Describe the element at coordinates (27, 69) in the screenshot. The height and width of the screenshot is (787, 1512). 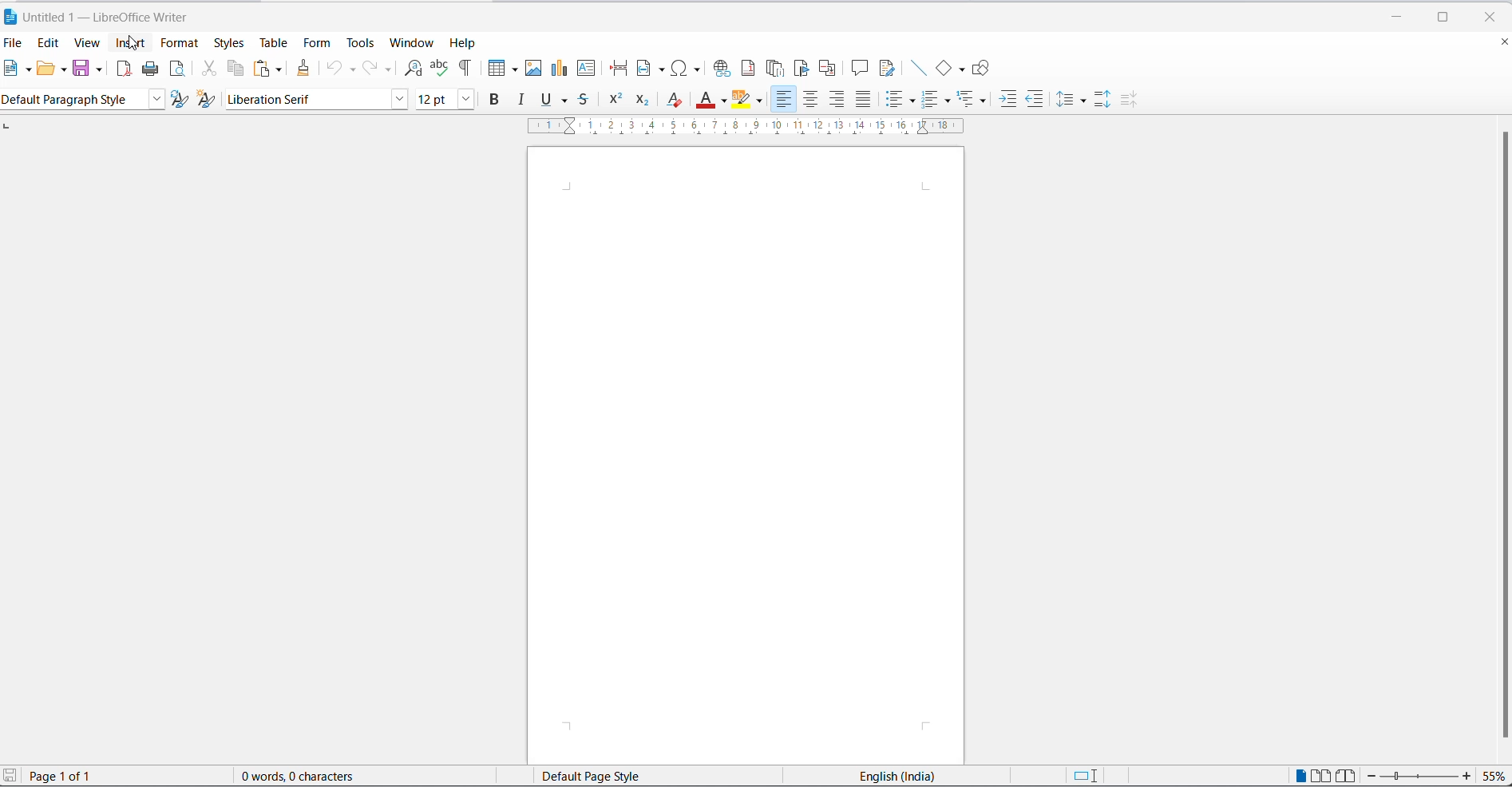
I see `new file options` at that location.